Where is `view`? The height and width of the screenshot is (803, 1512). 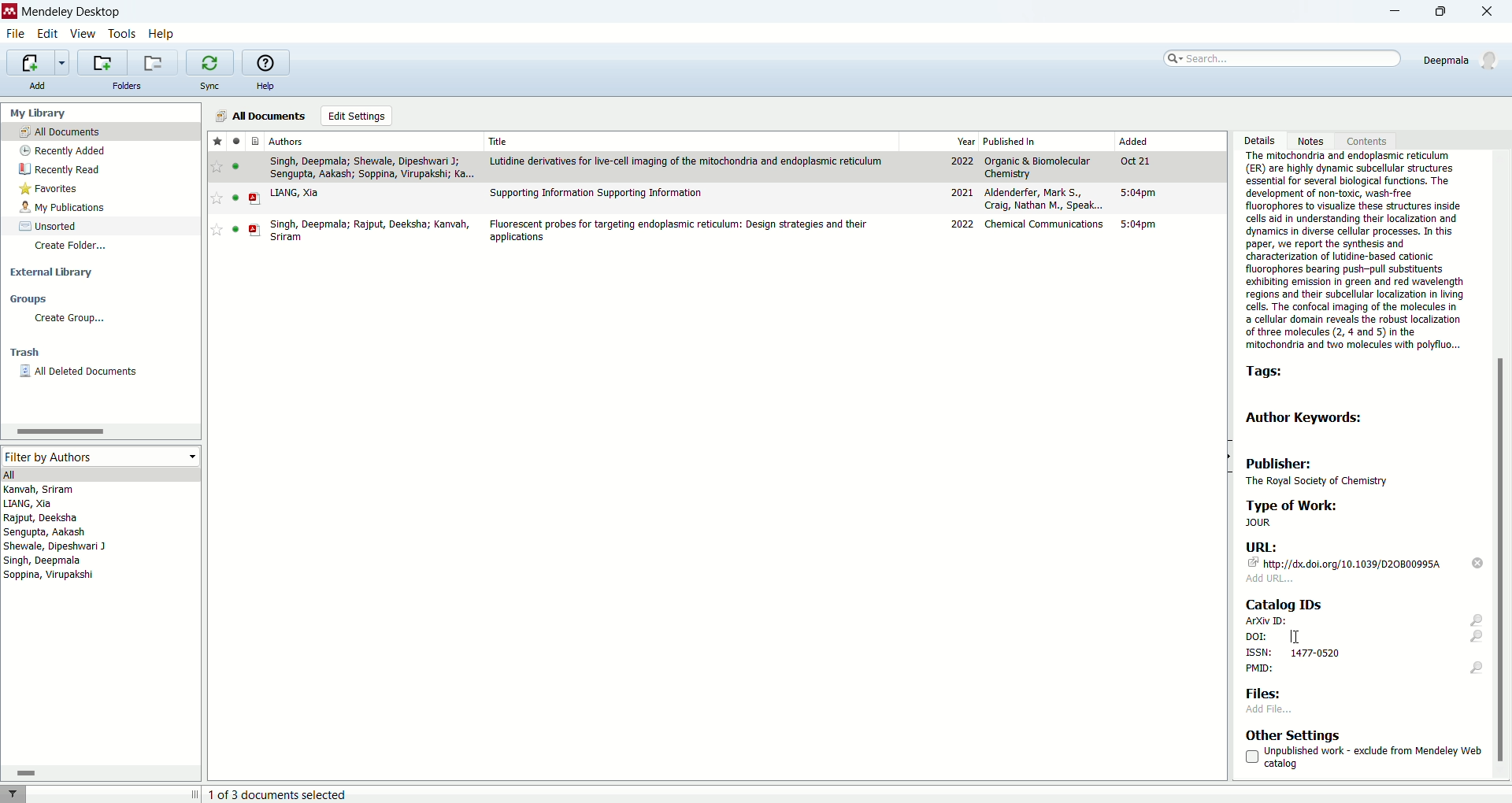 view is located at coordinates (81, 34).